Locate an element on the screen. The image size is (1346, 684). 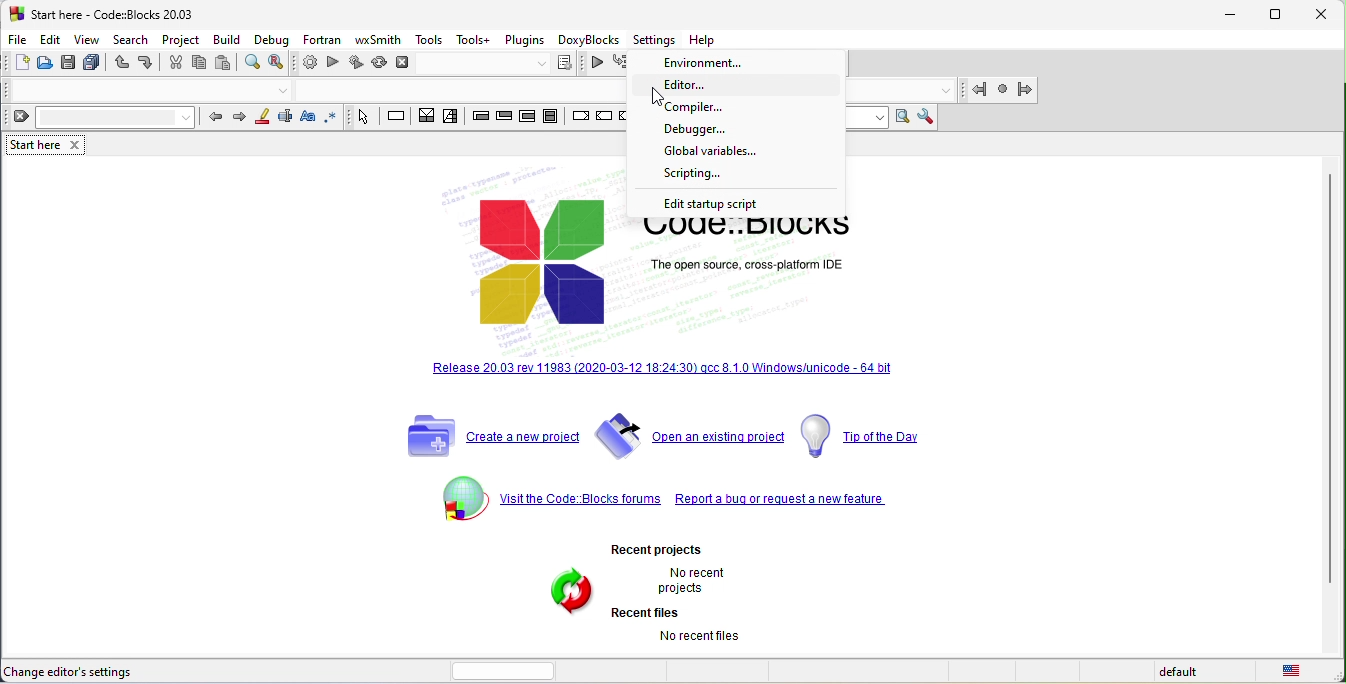
edit is located at coordinates (53, 41).